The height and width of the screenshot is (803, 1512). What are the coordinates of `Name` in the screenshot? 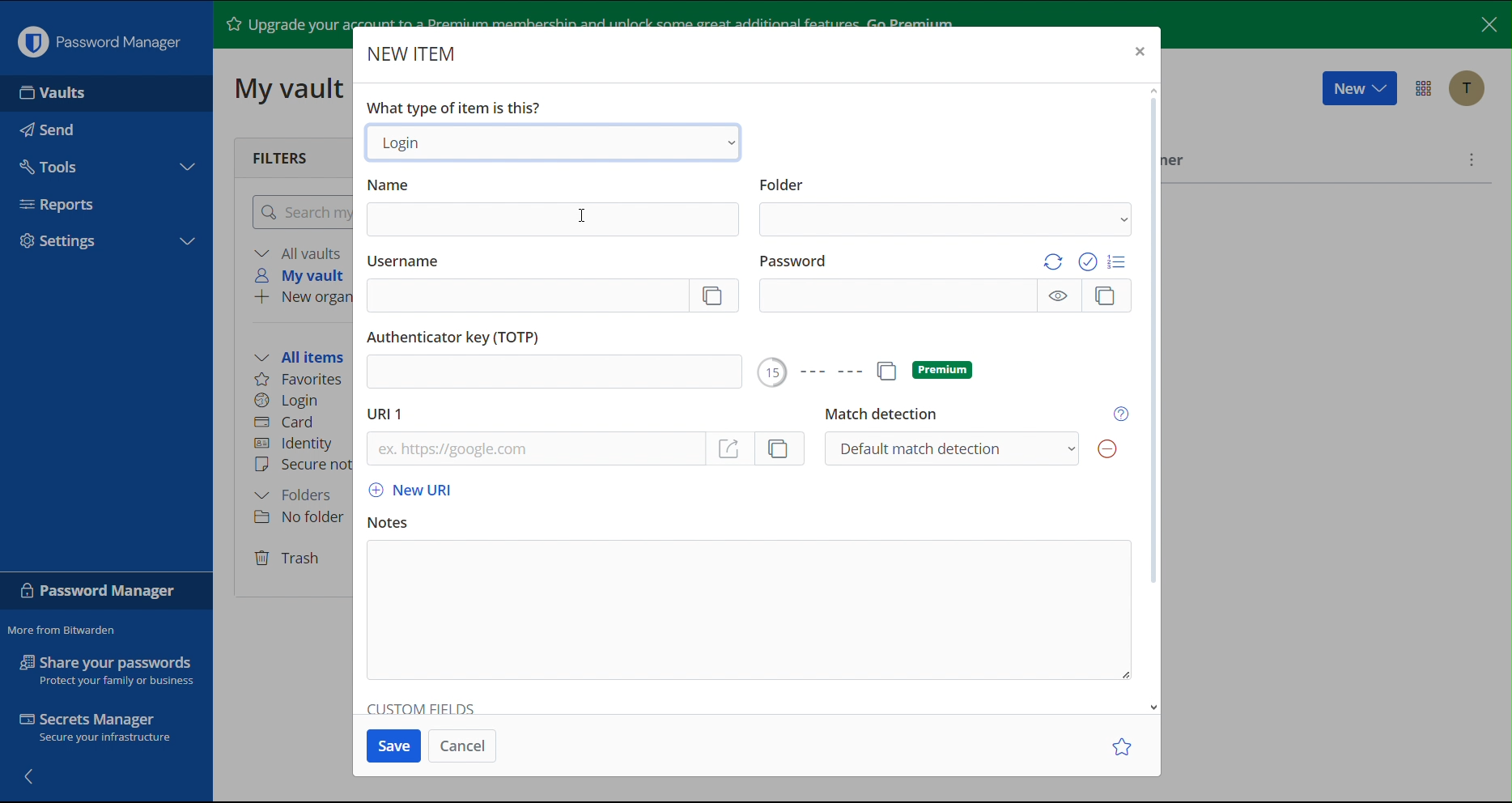 It's located at (554, 206).